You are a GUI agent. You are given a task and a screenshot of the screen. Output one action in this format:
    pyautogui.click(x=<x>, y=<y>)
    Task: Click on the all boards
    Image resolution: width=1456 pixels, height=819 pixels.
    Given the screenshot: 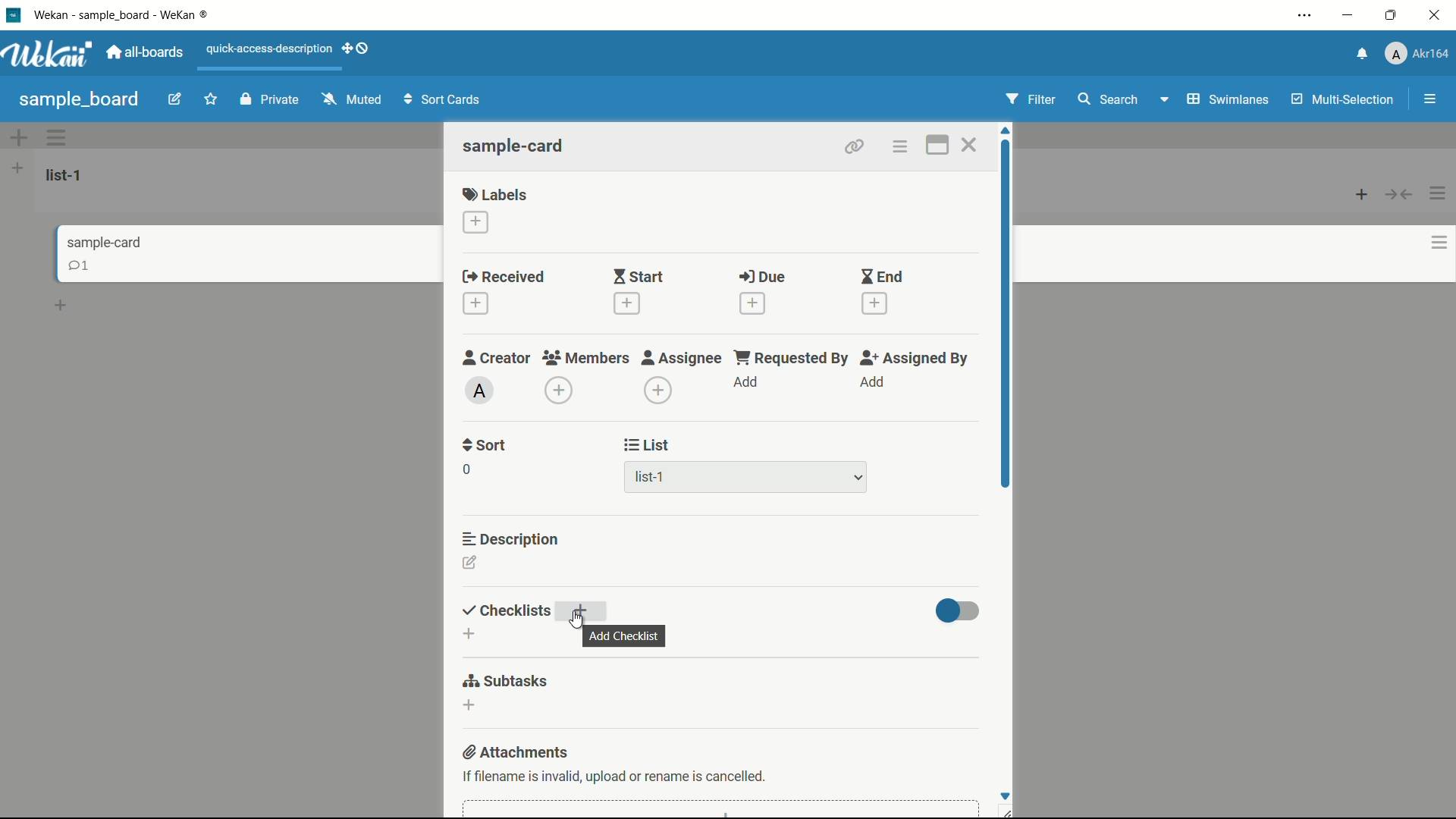 What is the action you would take?
    pyautogui.click(x=147, y=52)
    